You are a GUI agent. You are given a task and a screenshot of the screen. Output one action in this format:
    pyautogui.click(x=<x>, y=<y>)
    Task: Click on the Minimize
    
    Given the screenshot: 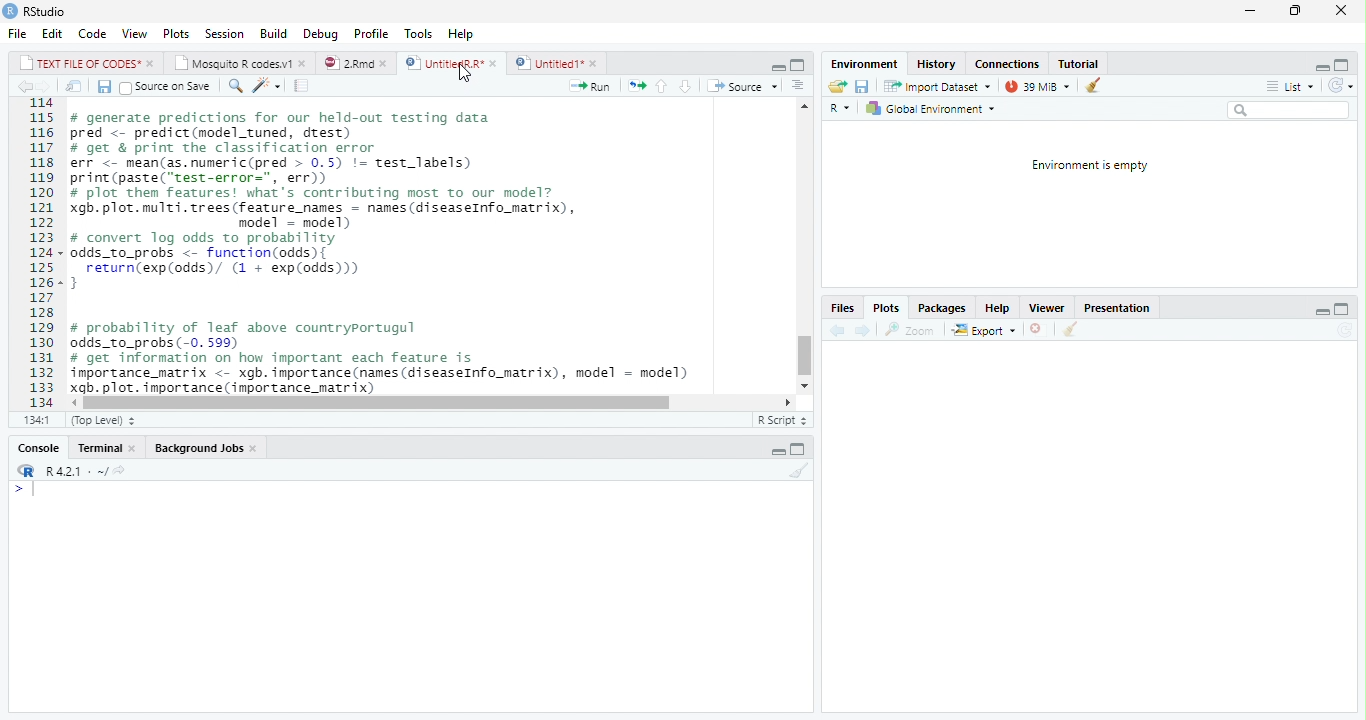 What is the action you would take?
    pyautogui.click(x=779, y=451)
    